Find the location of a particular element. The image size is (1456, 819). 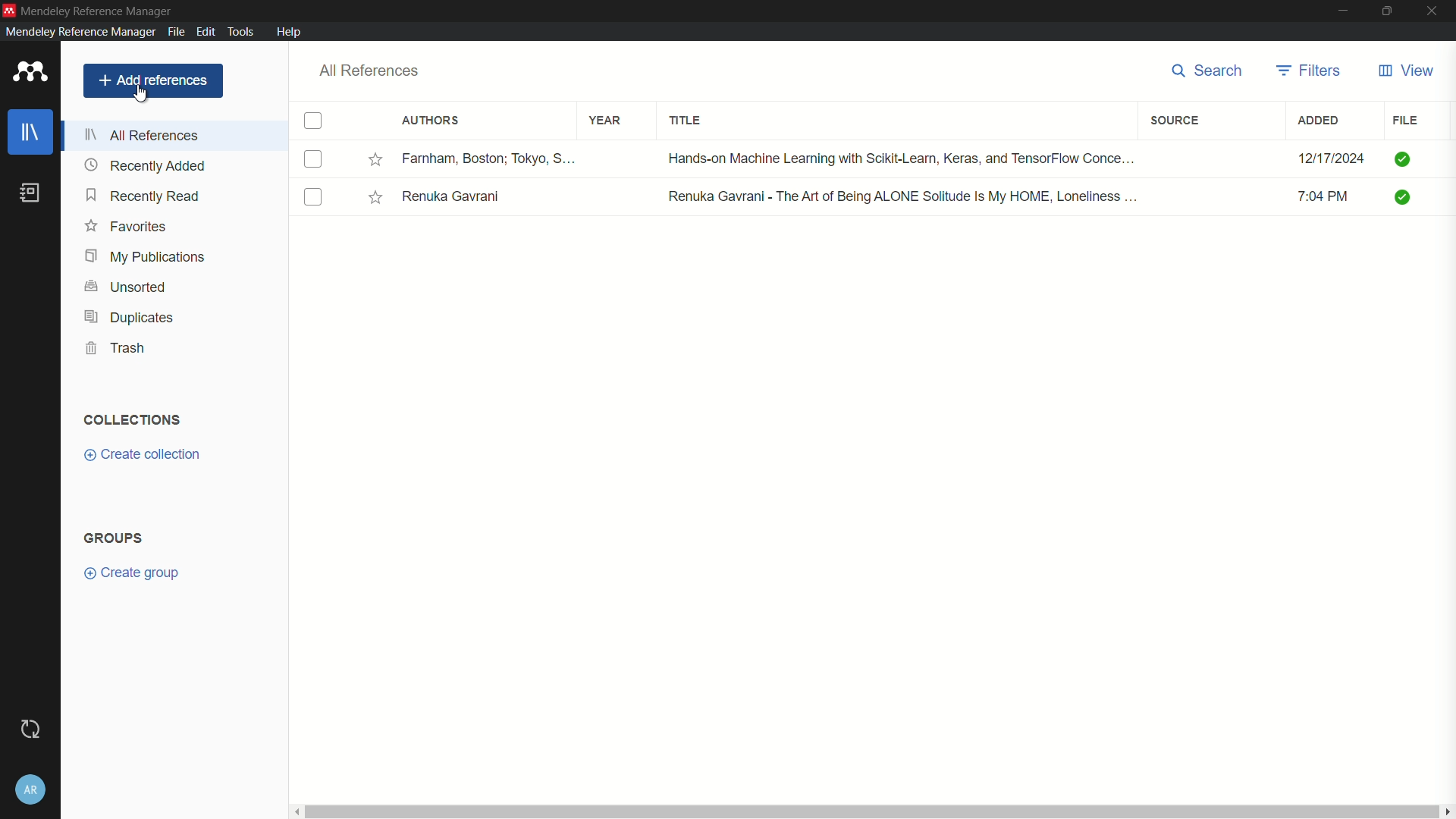

create group is located at coordinates (133, 573).